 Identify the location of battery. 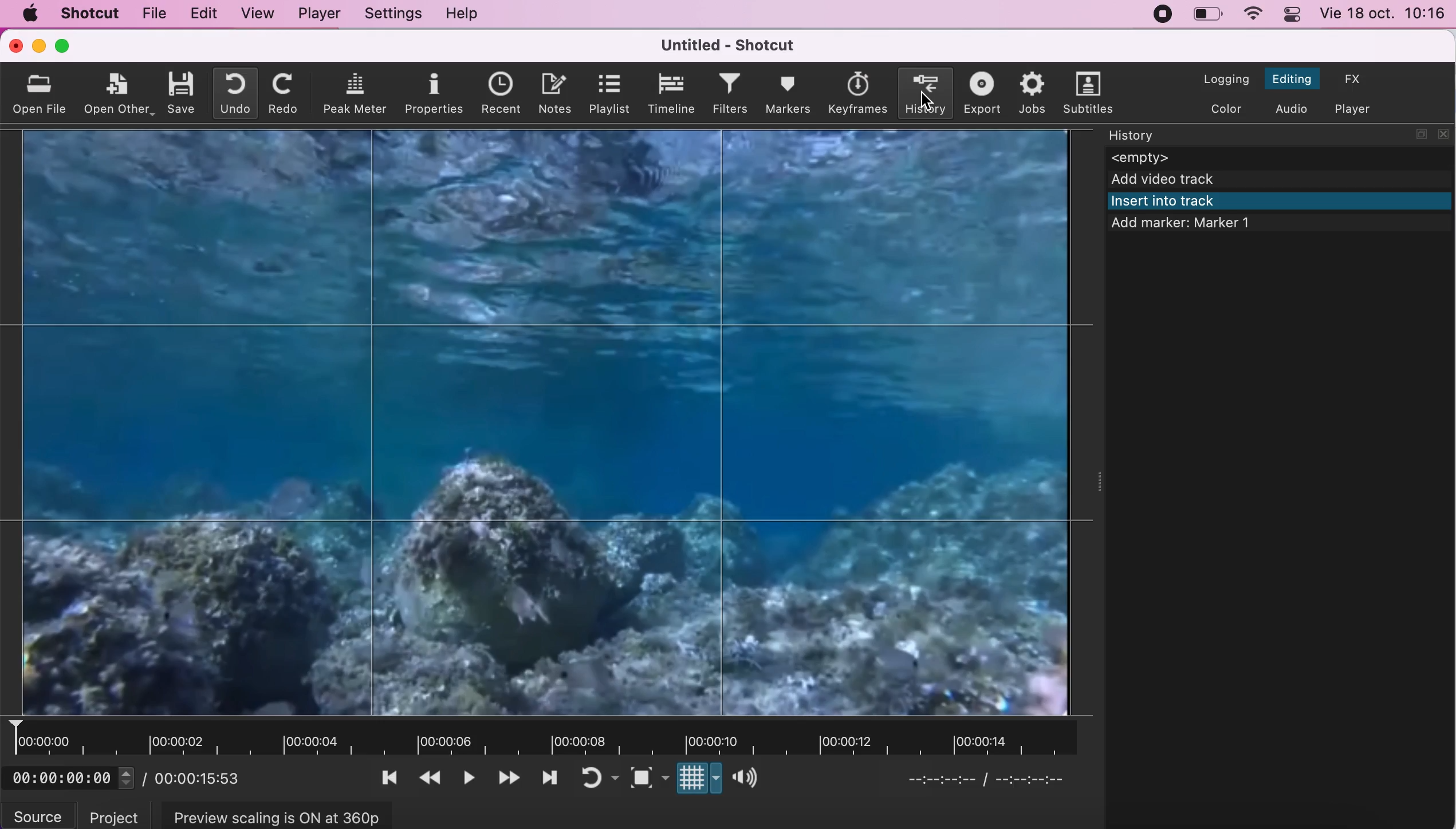
(1210, 17).